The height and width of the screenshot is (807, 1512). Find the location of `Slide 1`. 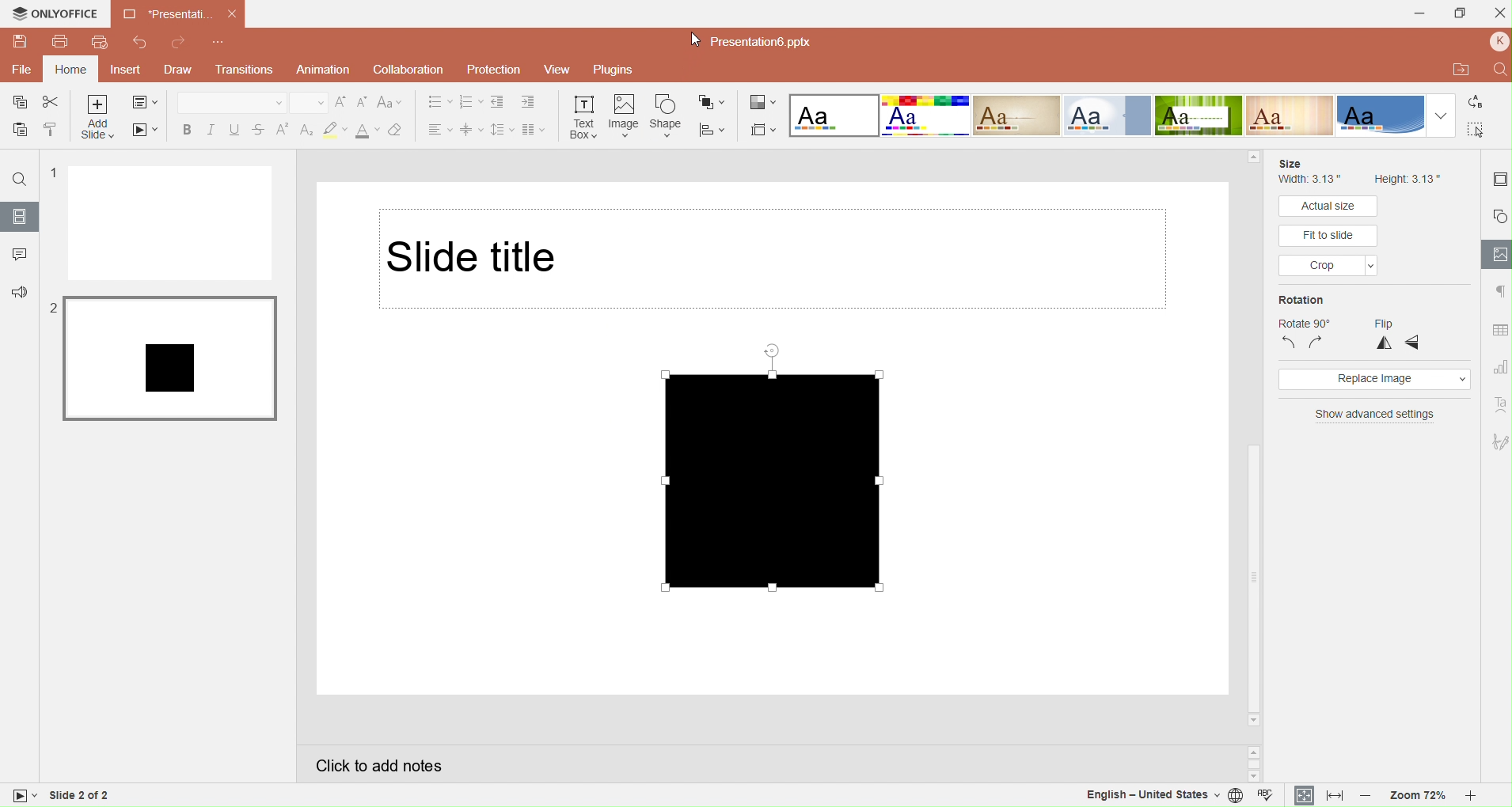

Slide 1 is located at coordinates (171, 223).